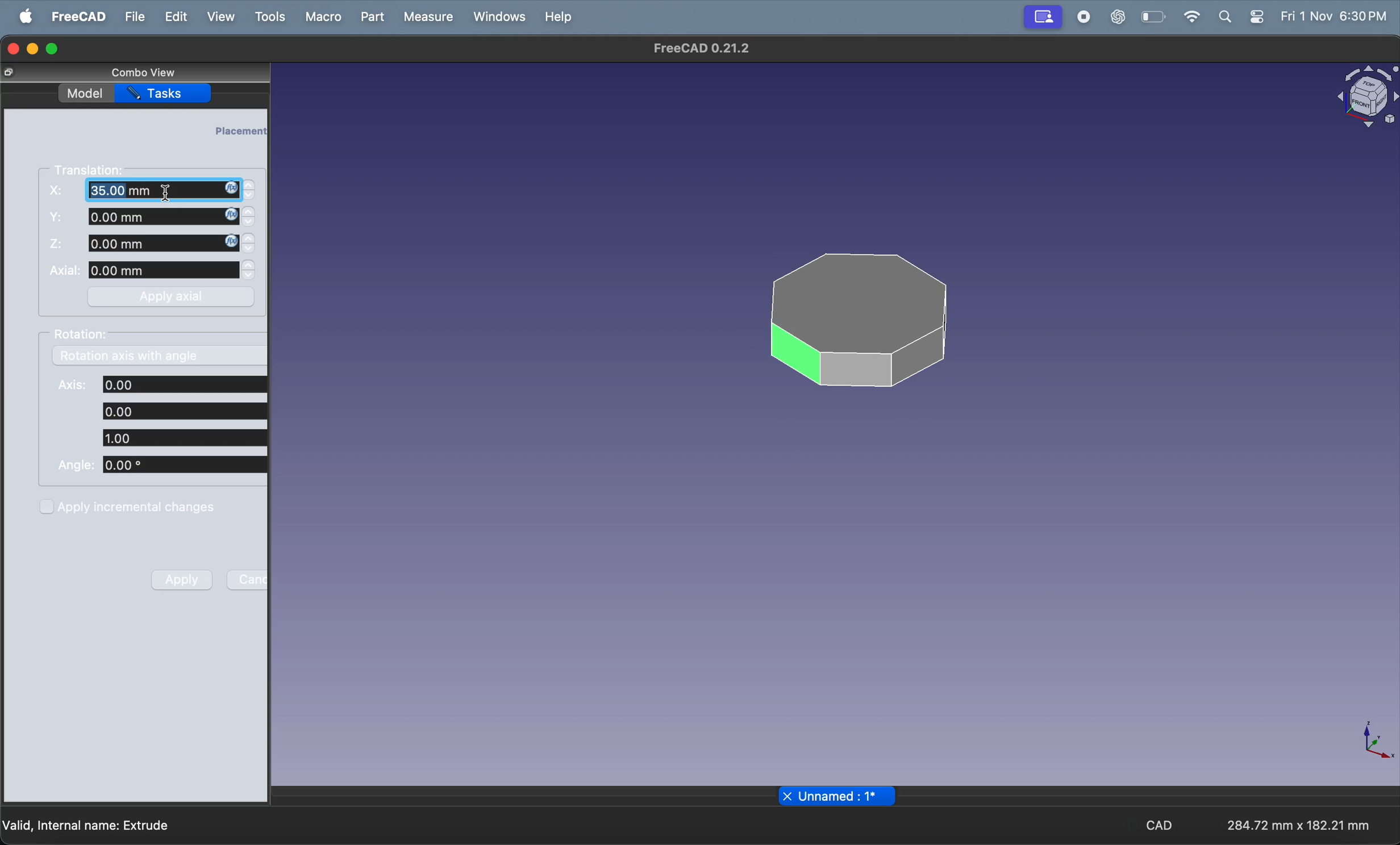 The width and height of the screenshot is (1400, 845). What do you see at coordinates (1041, 18) in the screenshot?
I see `Screensharing ` at bounding box center [1041, 18].